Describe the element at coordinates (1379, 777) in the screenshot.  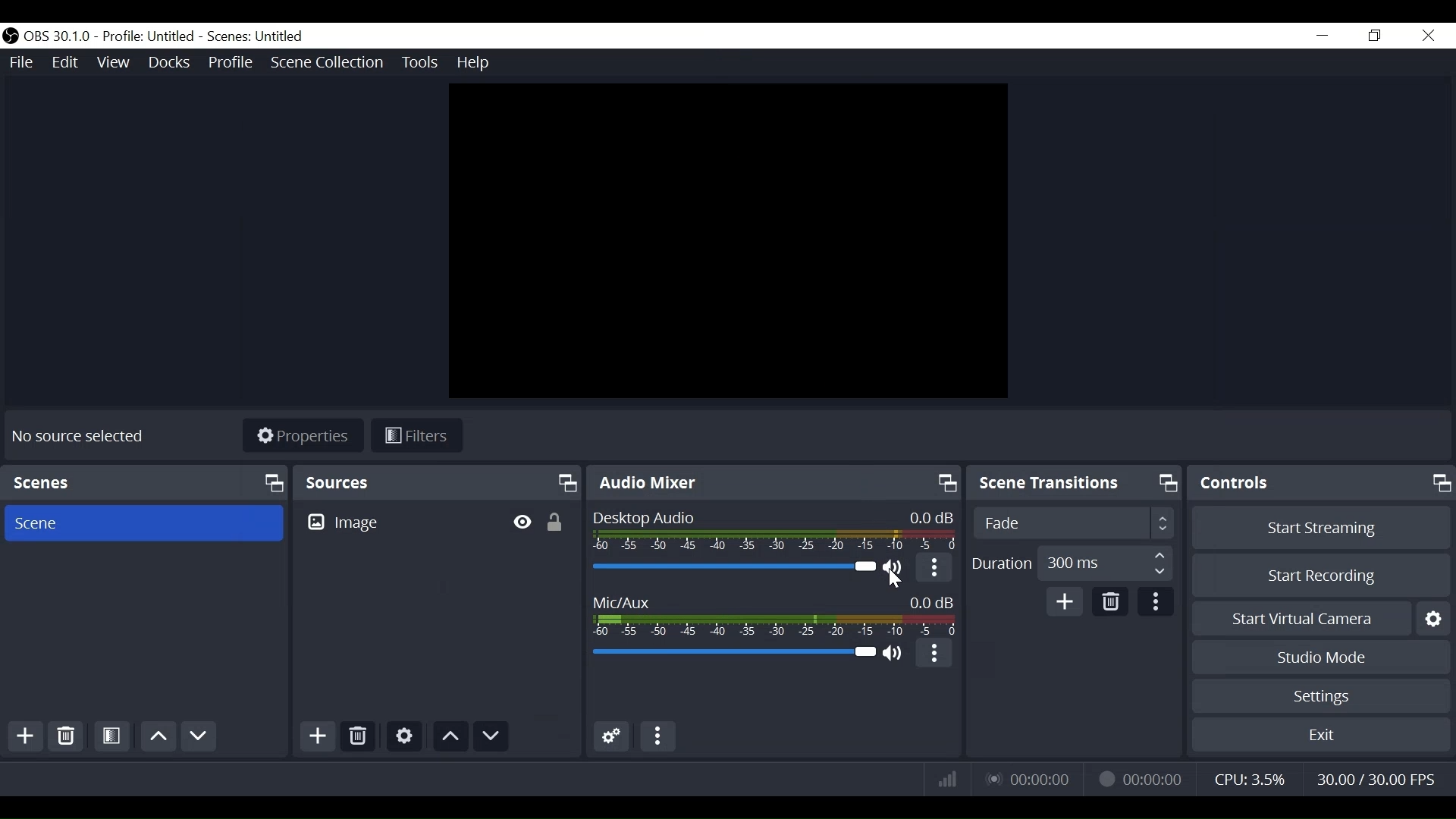
I see `Frame Per Second` at that location.